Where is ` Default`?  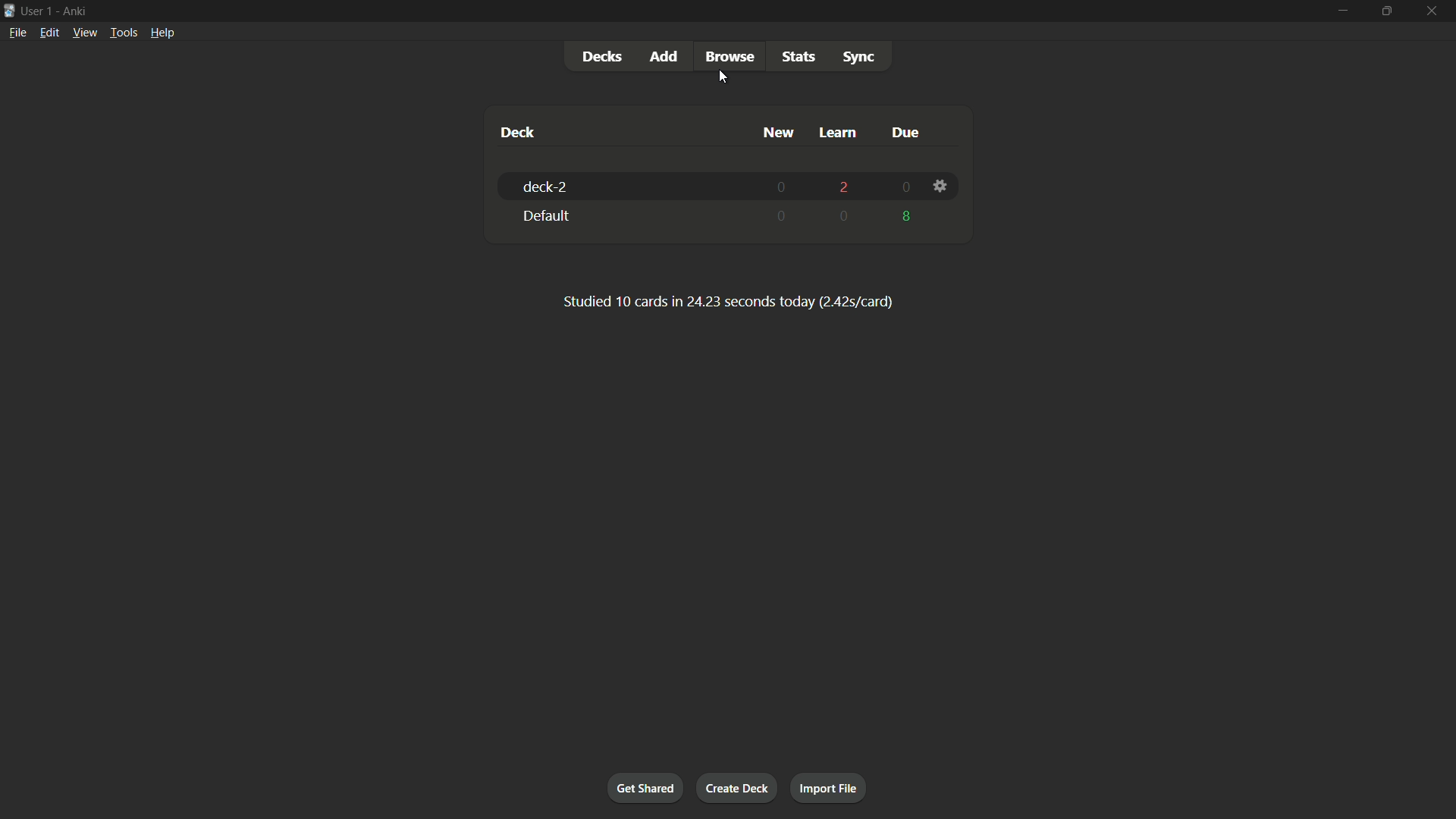
 Default is located at coordinates (545, 216).